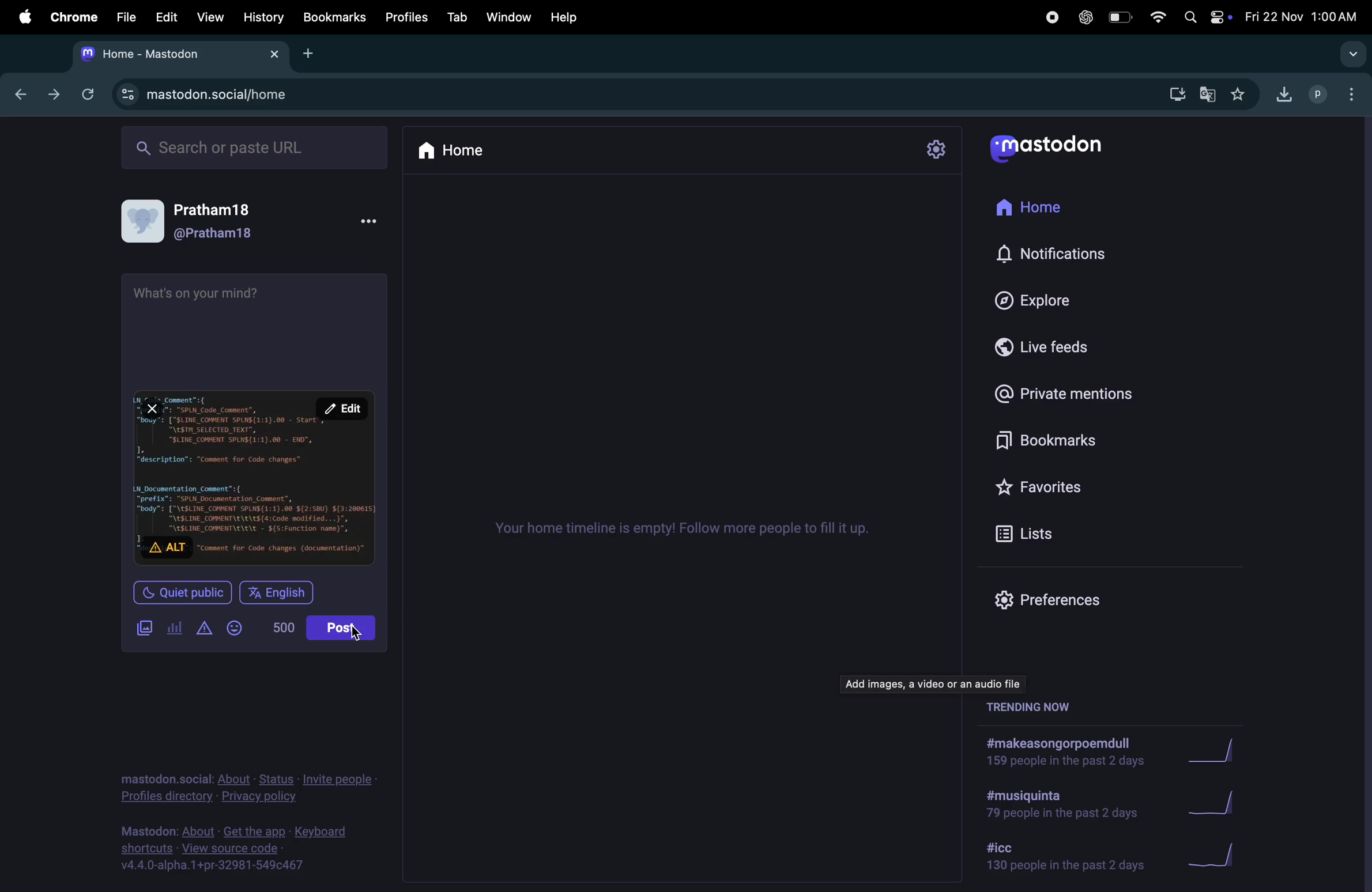  Describe the element at coordinates (335, 18) in the screenshot. I see `book marks` at that location.